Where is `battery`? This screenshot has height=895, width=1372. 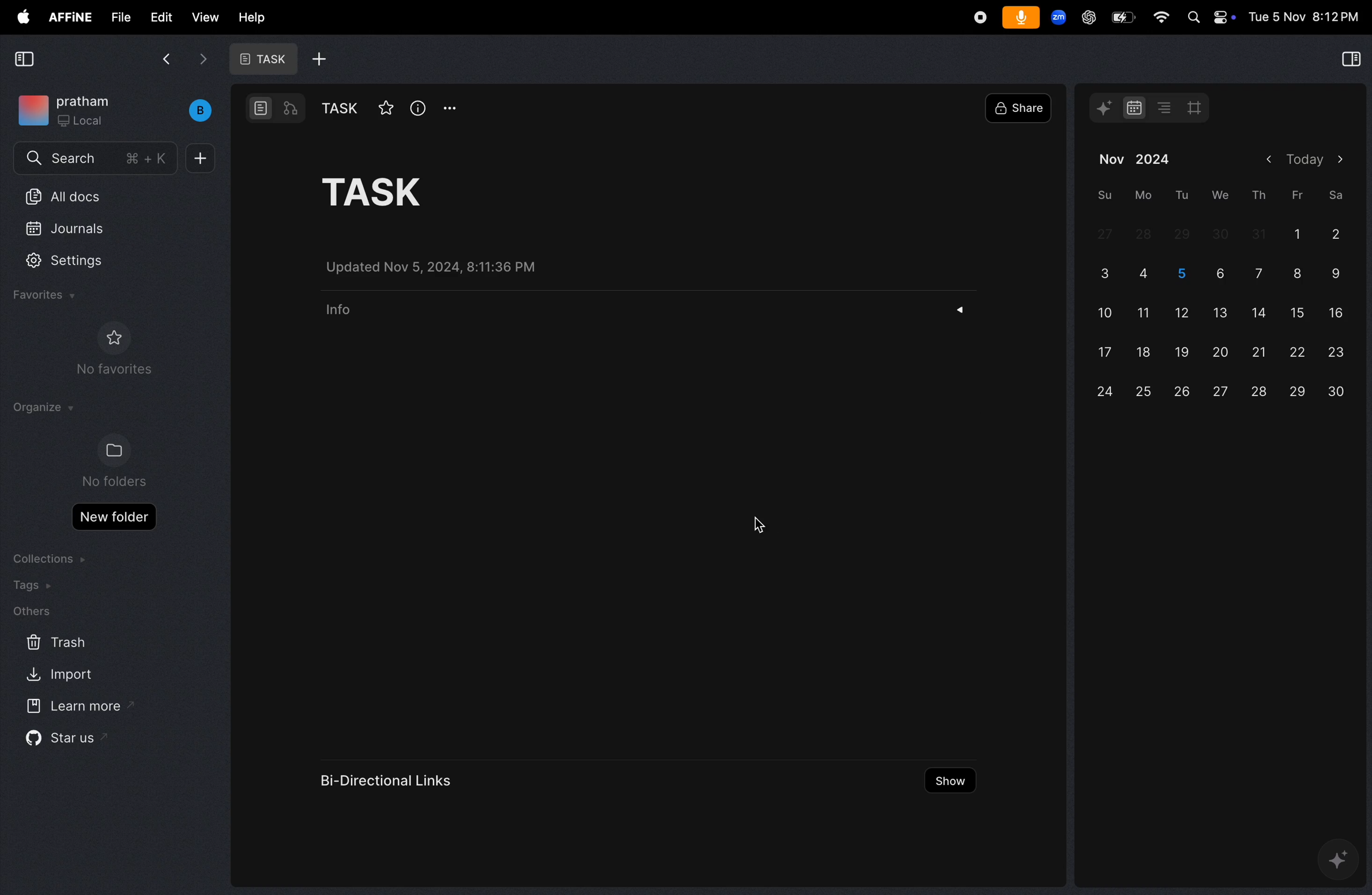
battery is located at coordinates (1120, 17).